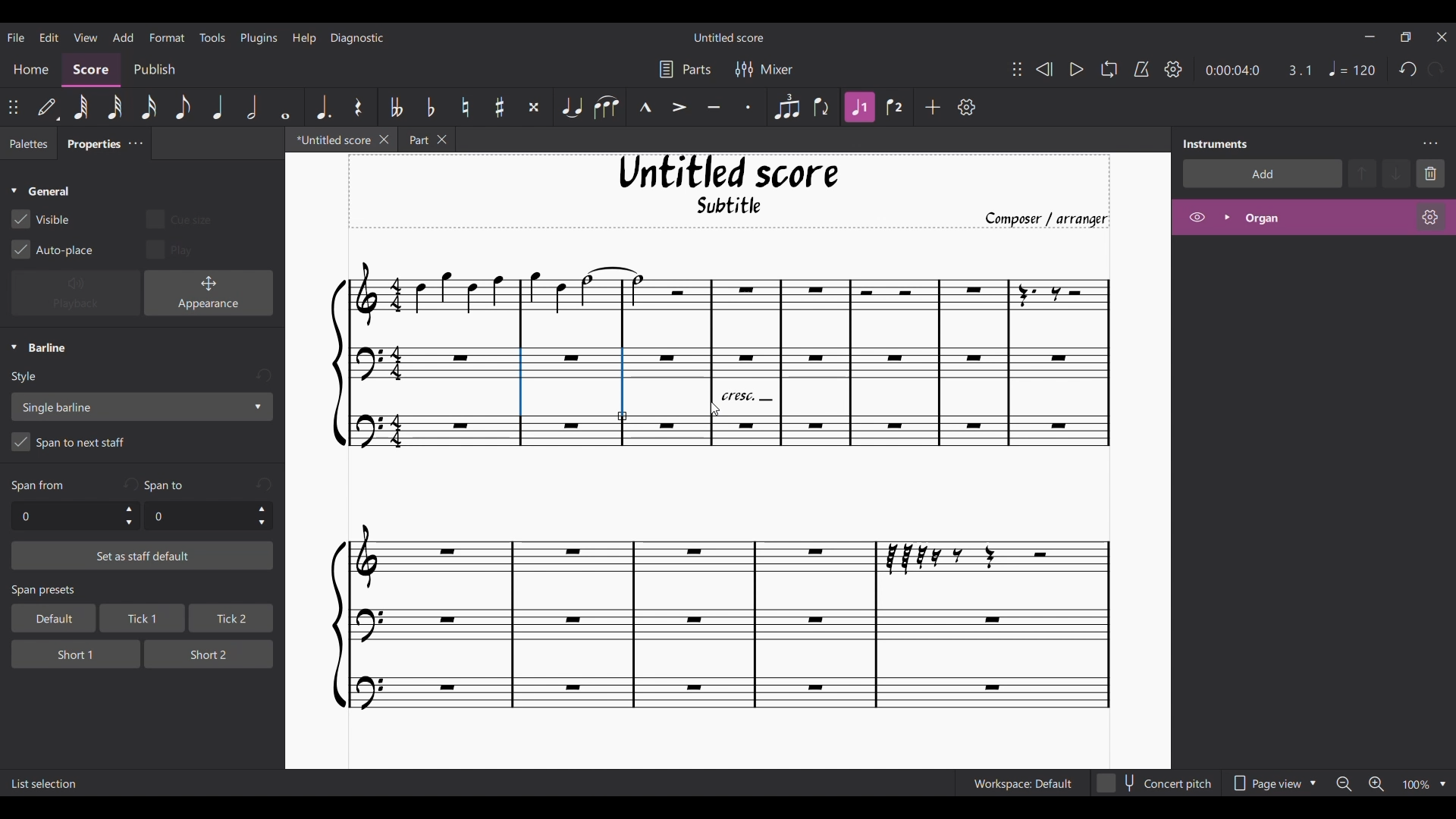 This screenshot has width=1456, height=819. Describe the element at coordinates (259, 37) in the screenshot. I see `Plugins menu` at that location.